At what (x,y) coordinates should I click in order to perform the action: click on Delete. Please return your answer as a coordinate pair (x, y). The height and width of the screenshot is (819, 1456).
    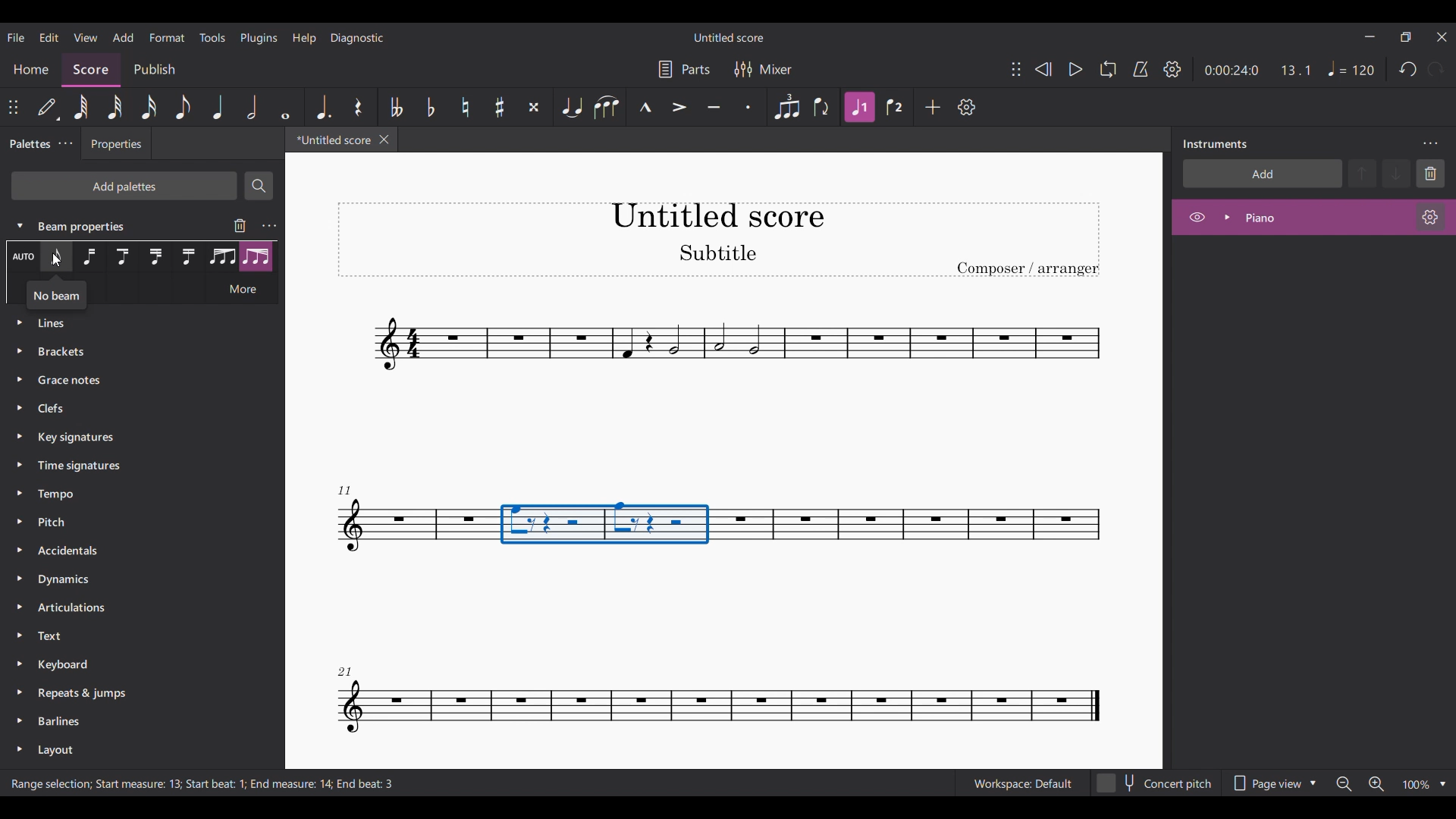
    Looking at the image, I should click on (240, 225).